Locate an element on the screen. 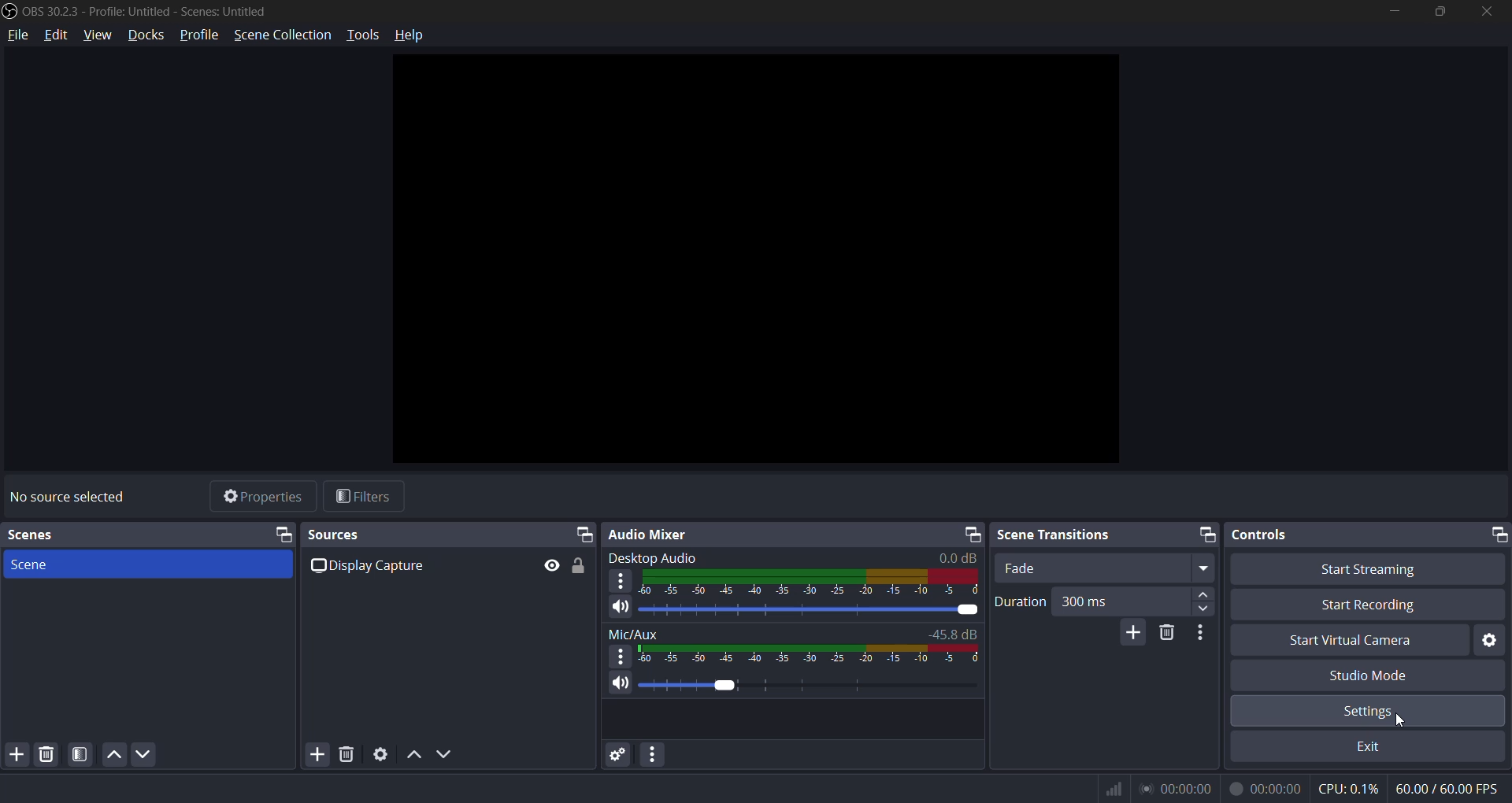  cursor is located at coordinates (1399, 724).